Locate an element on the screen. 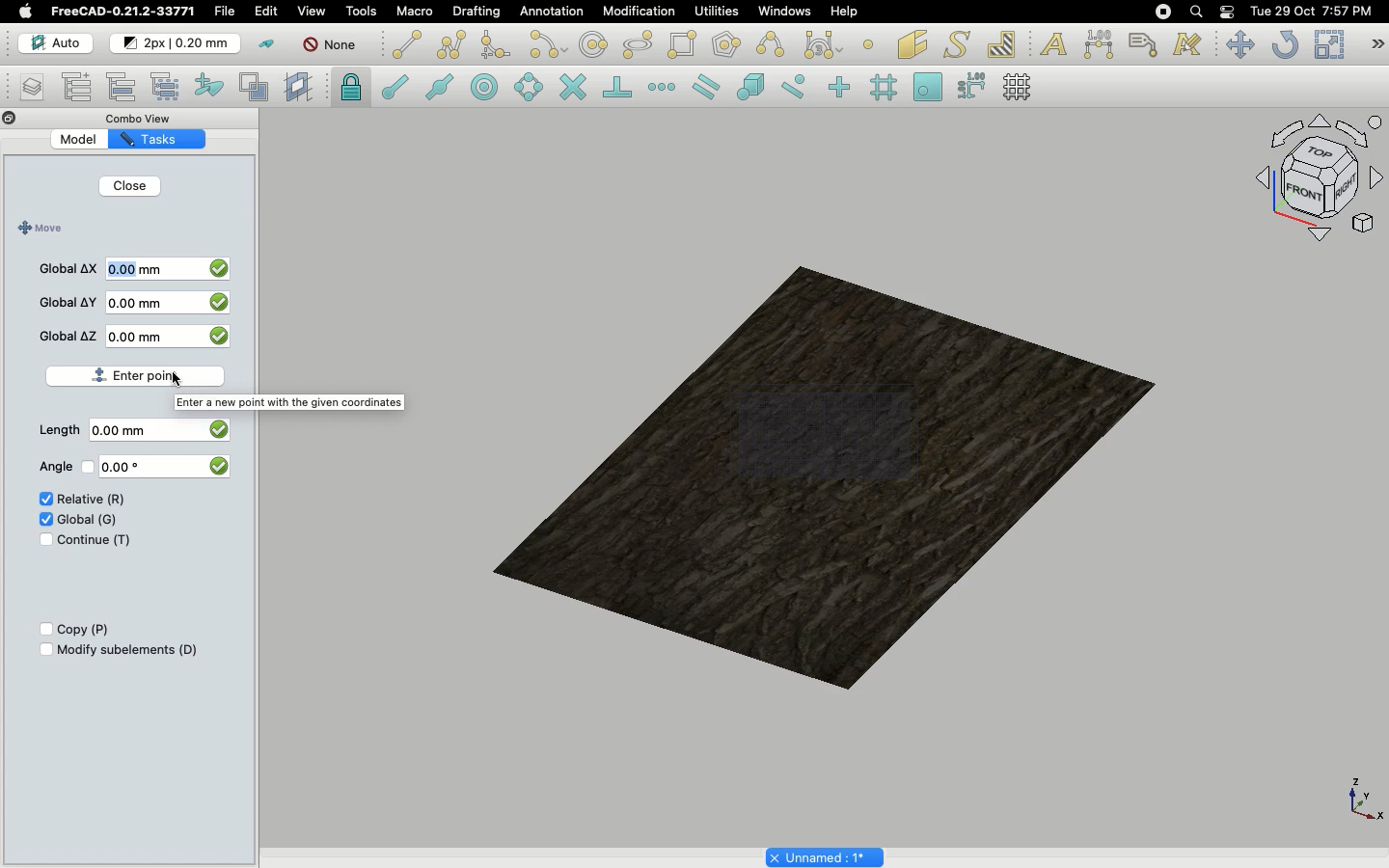  Object selected is located at coordinates (829, 469).